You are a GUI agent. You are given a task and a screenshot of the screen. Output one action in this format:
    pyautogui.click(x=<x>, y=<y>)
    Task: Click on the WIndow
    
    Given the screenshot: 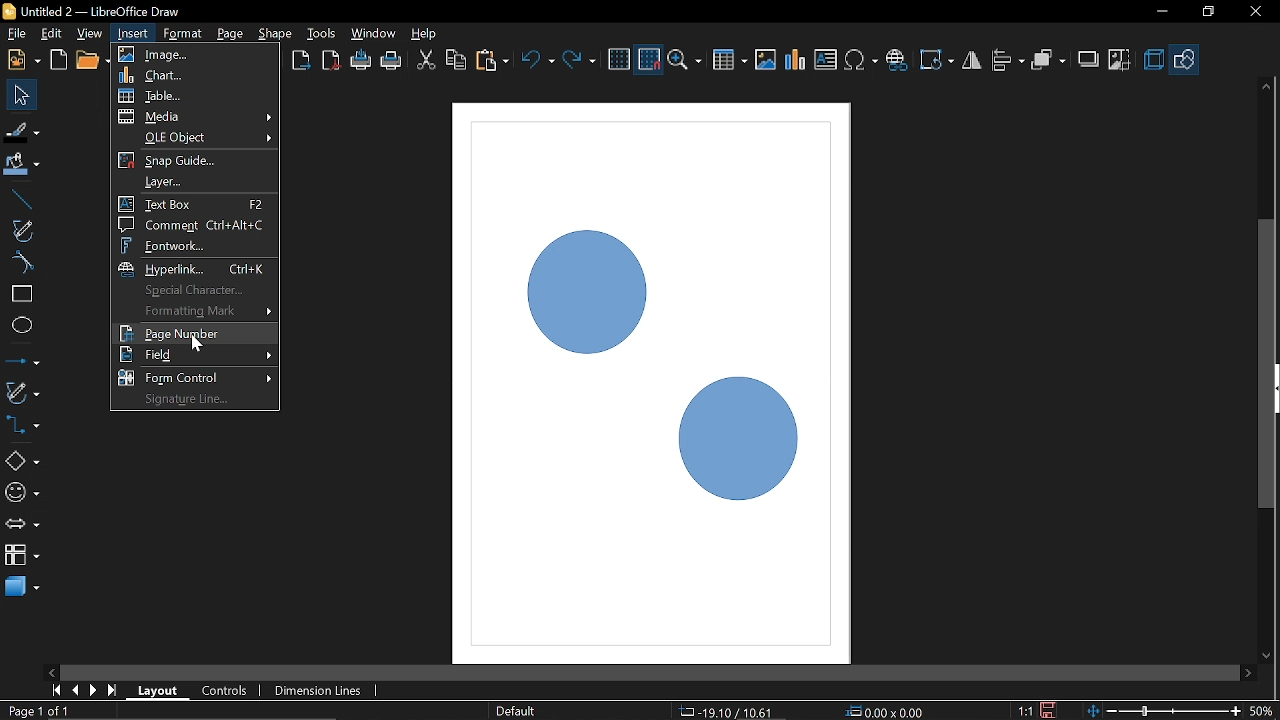 What is the action you would take?
    pyautogui.click(x=374, y=33)
    